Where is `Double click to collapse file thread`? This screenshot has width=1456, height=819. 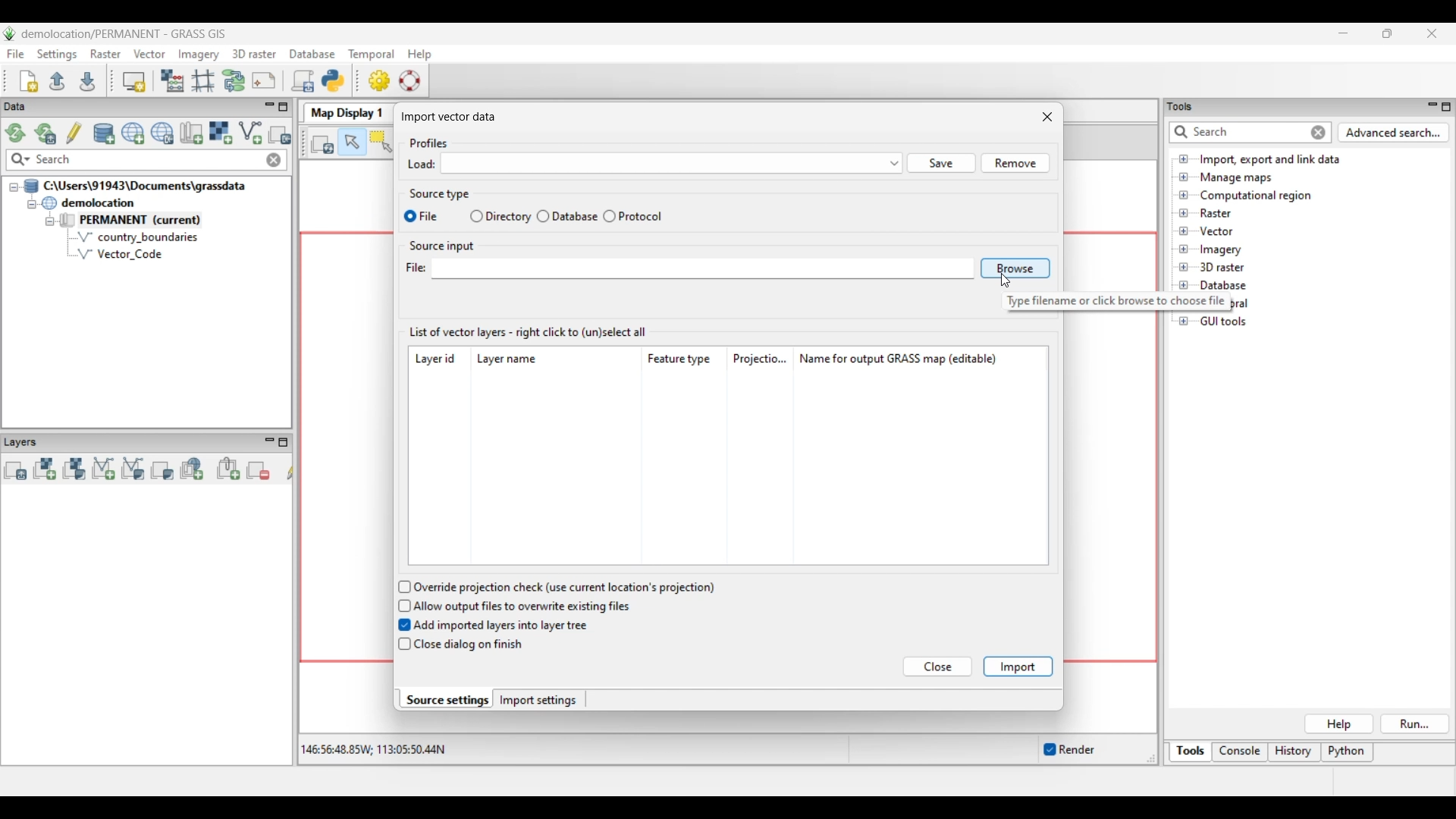 Double click to collapse file thread is located at coordinates (135, 186).